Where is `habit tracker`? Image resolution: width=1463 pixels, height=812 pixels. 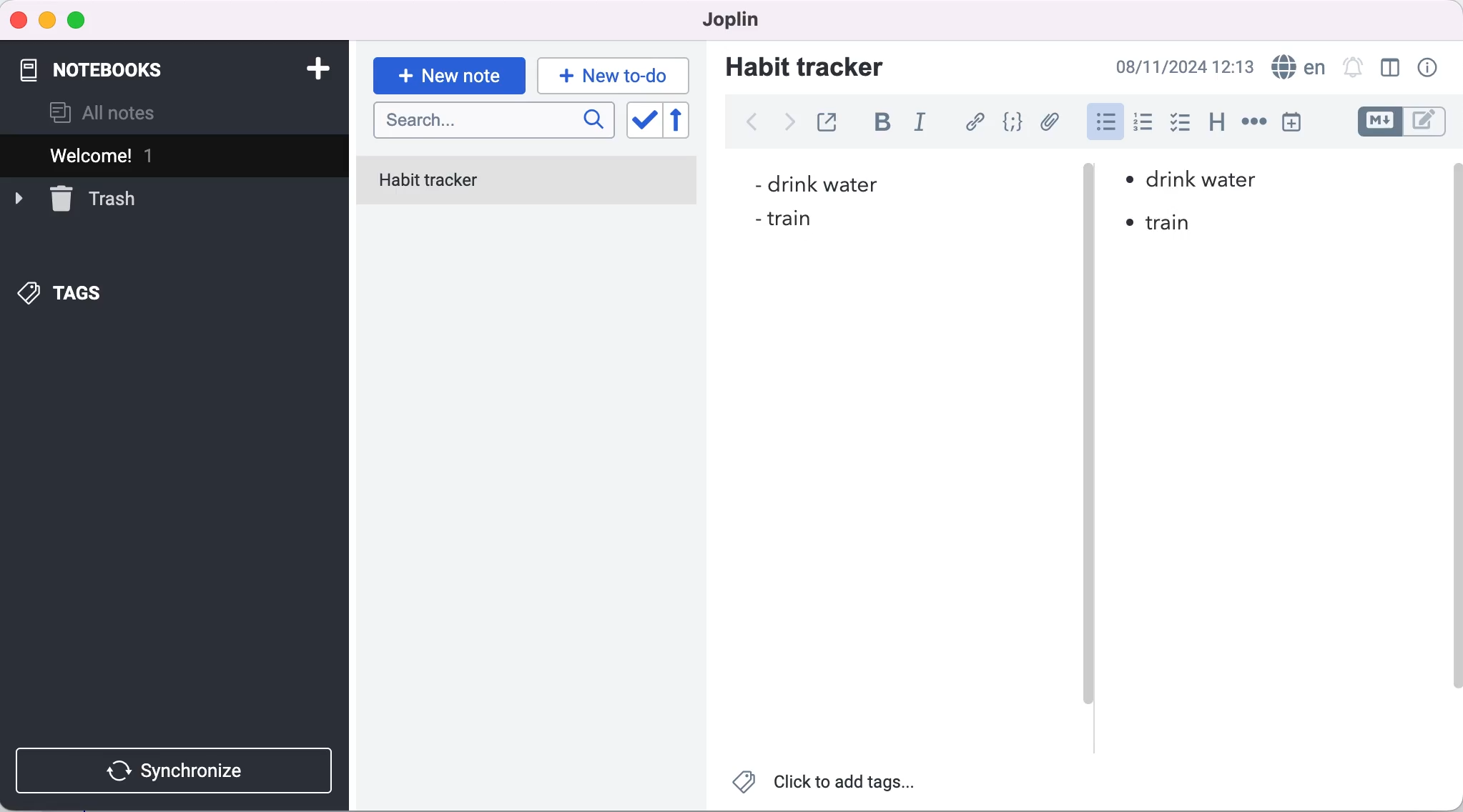 habit tracker is located at coordinates (804, 66).